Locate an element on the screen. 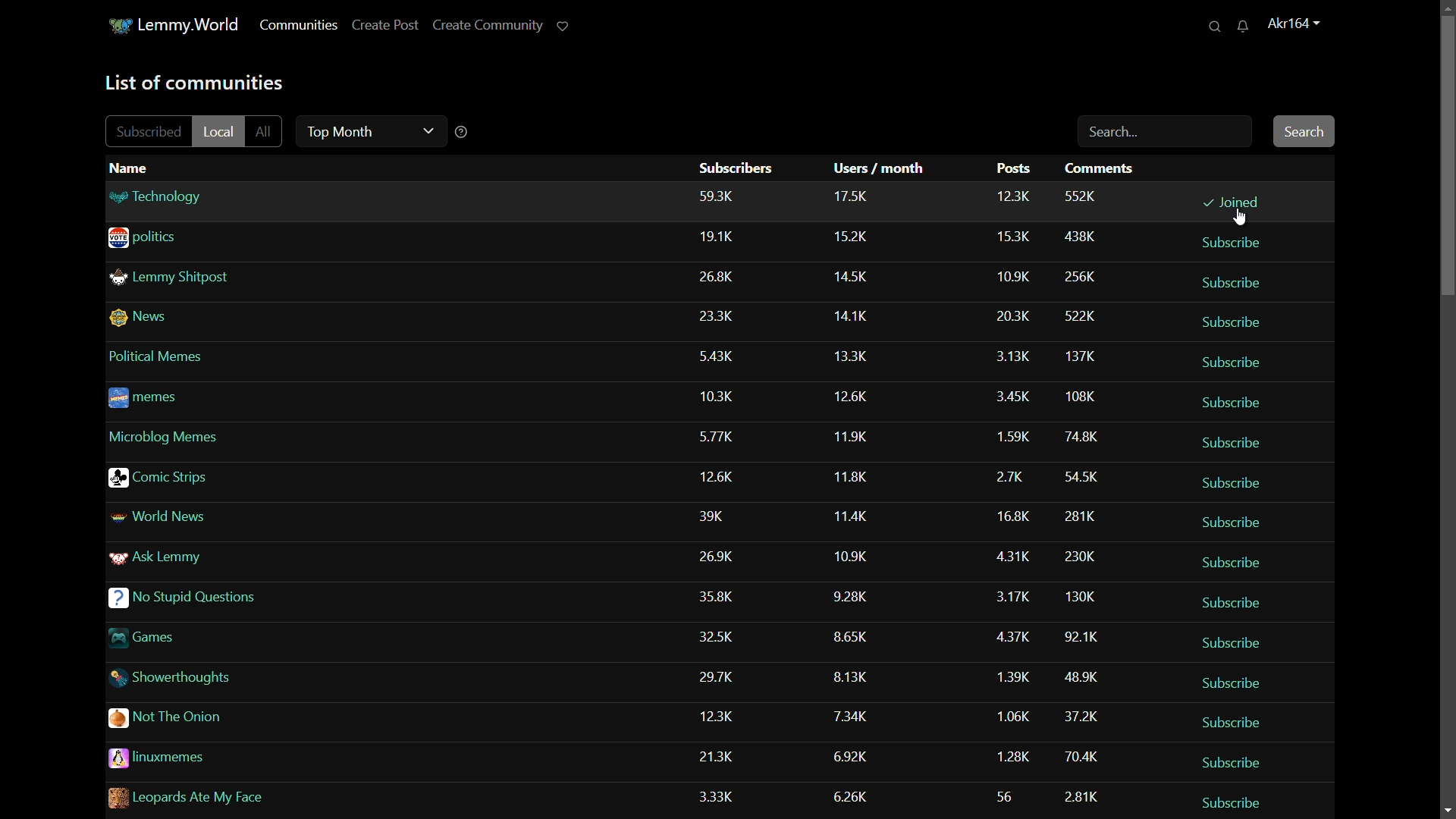 This screenshot has height=819, width=1456.  is located at coordinates (858, 355).